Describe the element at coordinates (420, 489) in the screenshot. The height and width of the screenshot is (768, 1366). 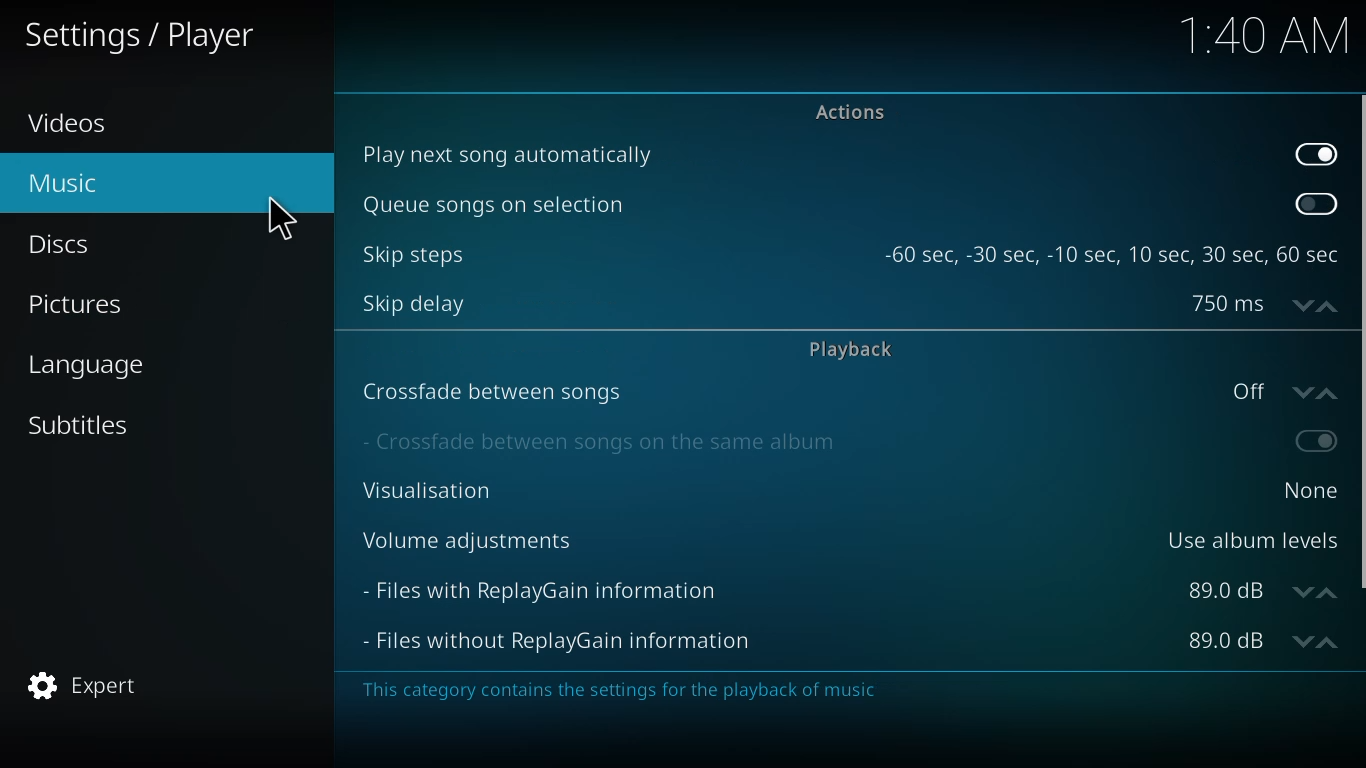
I see `visualisation` at that location.